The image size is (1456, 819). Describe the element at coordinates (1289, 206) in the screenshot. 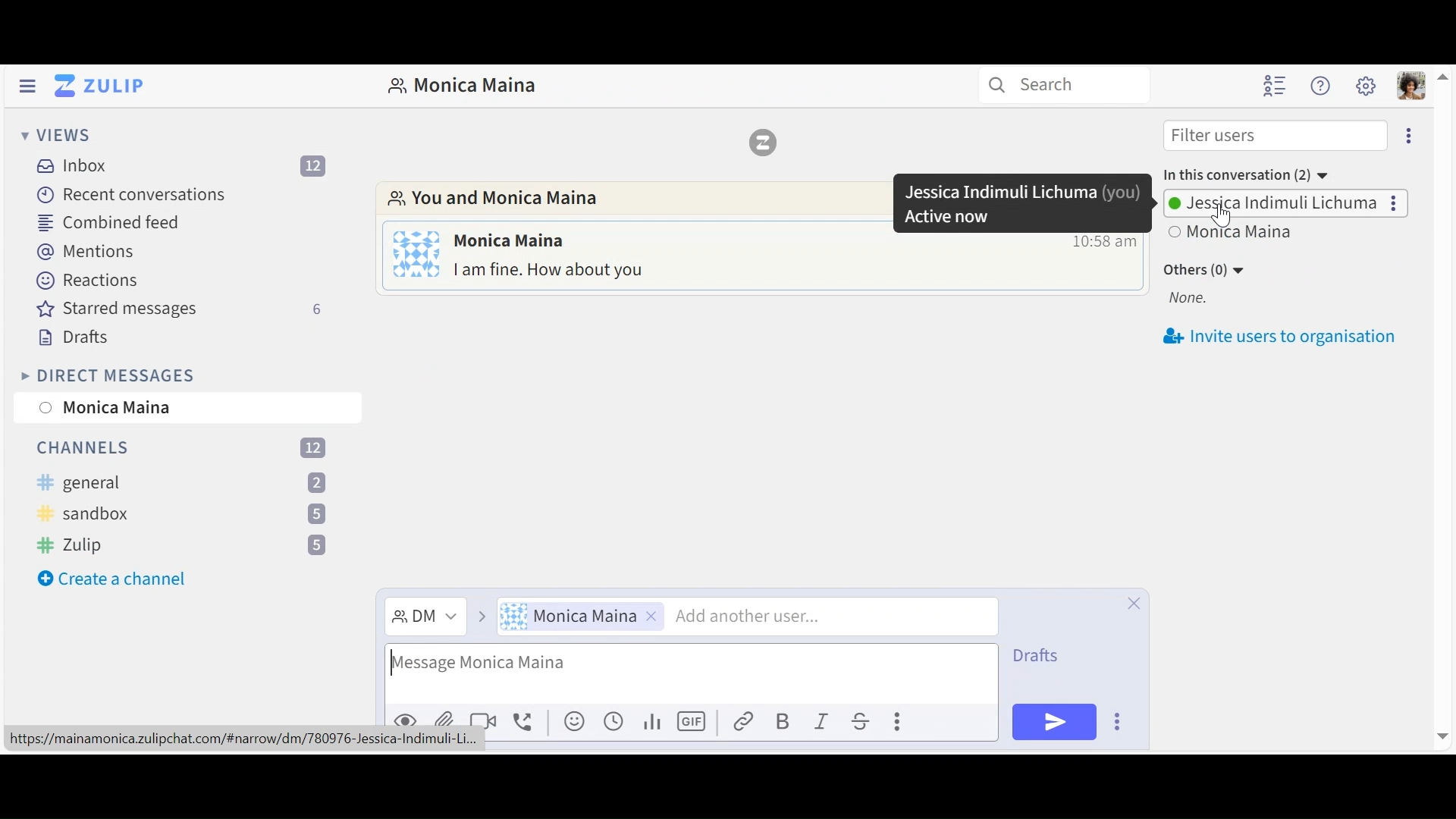

I see `` at that location.